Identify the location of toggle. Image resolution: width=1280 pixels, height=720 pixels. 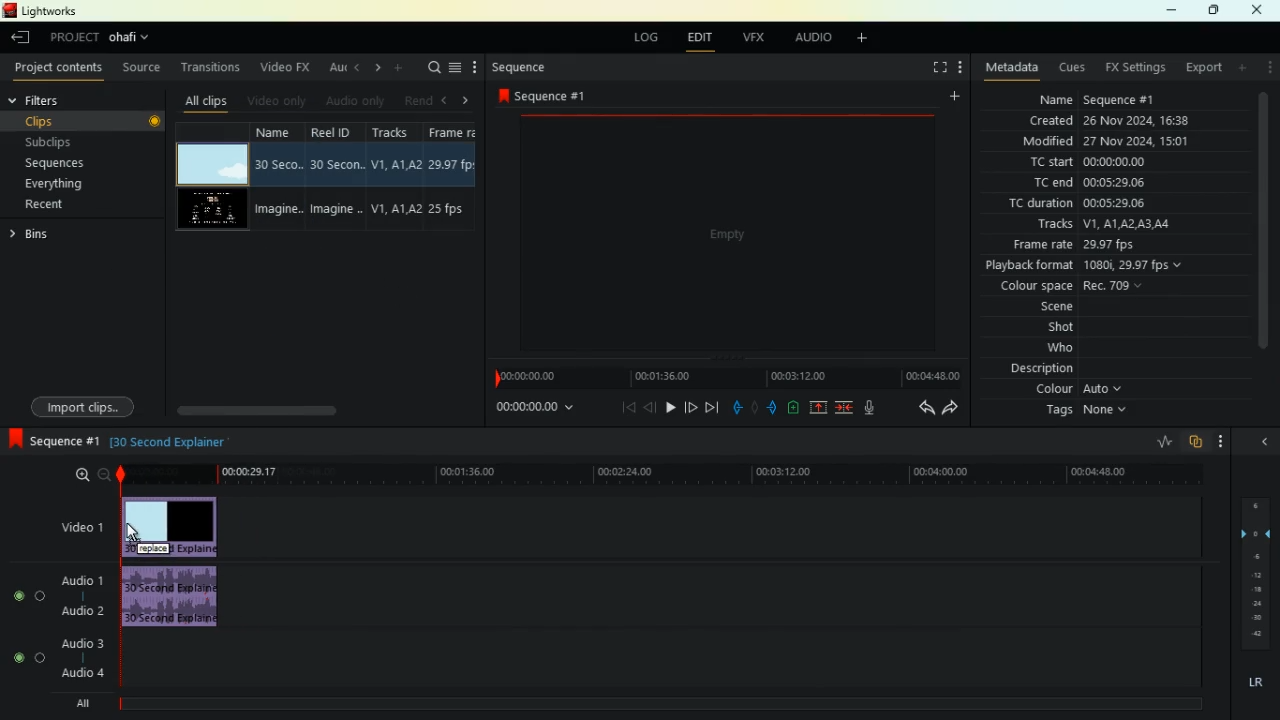
(17, 656).